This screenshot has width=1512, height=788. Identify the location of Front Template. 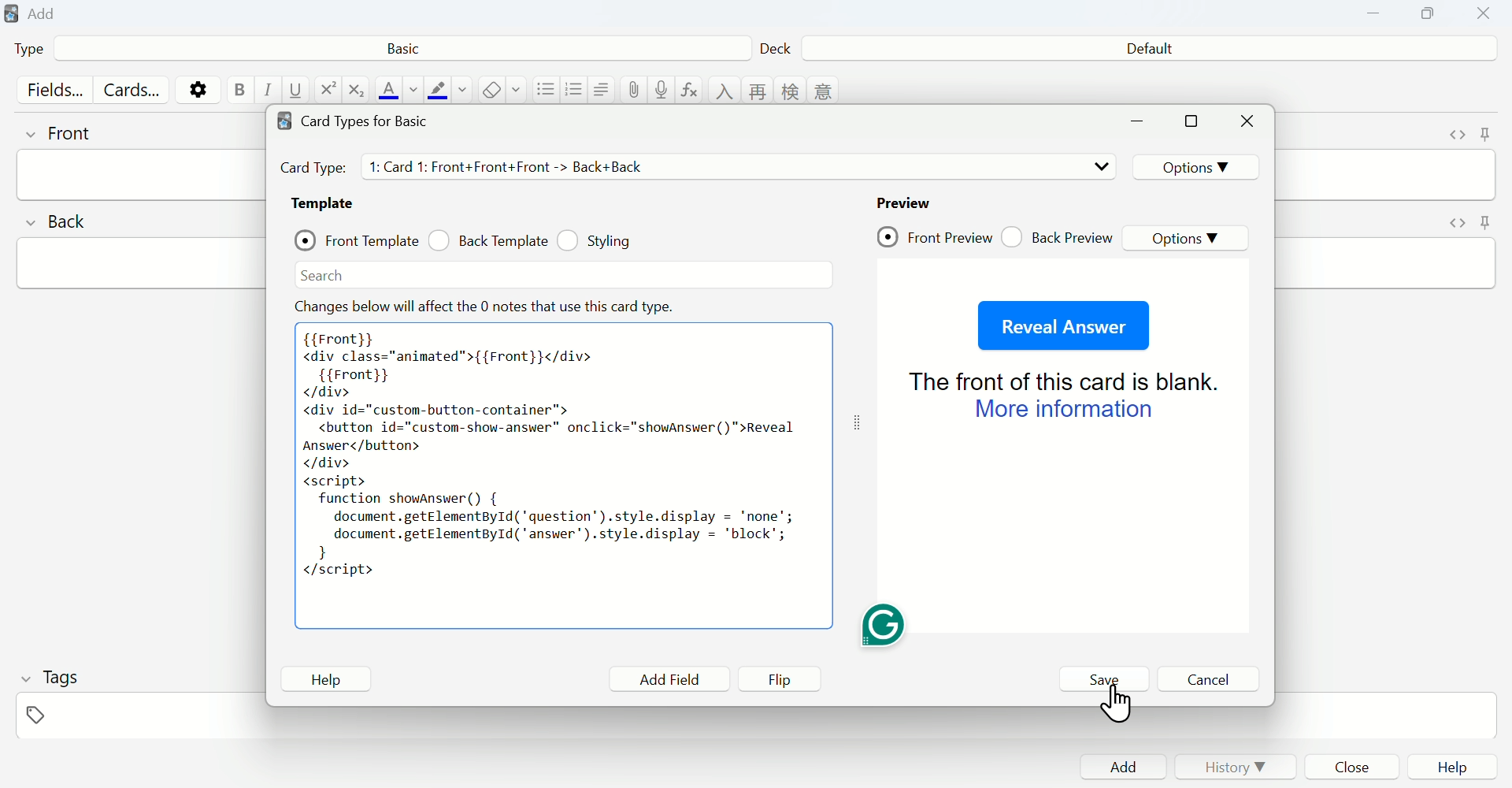
(354, 239).